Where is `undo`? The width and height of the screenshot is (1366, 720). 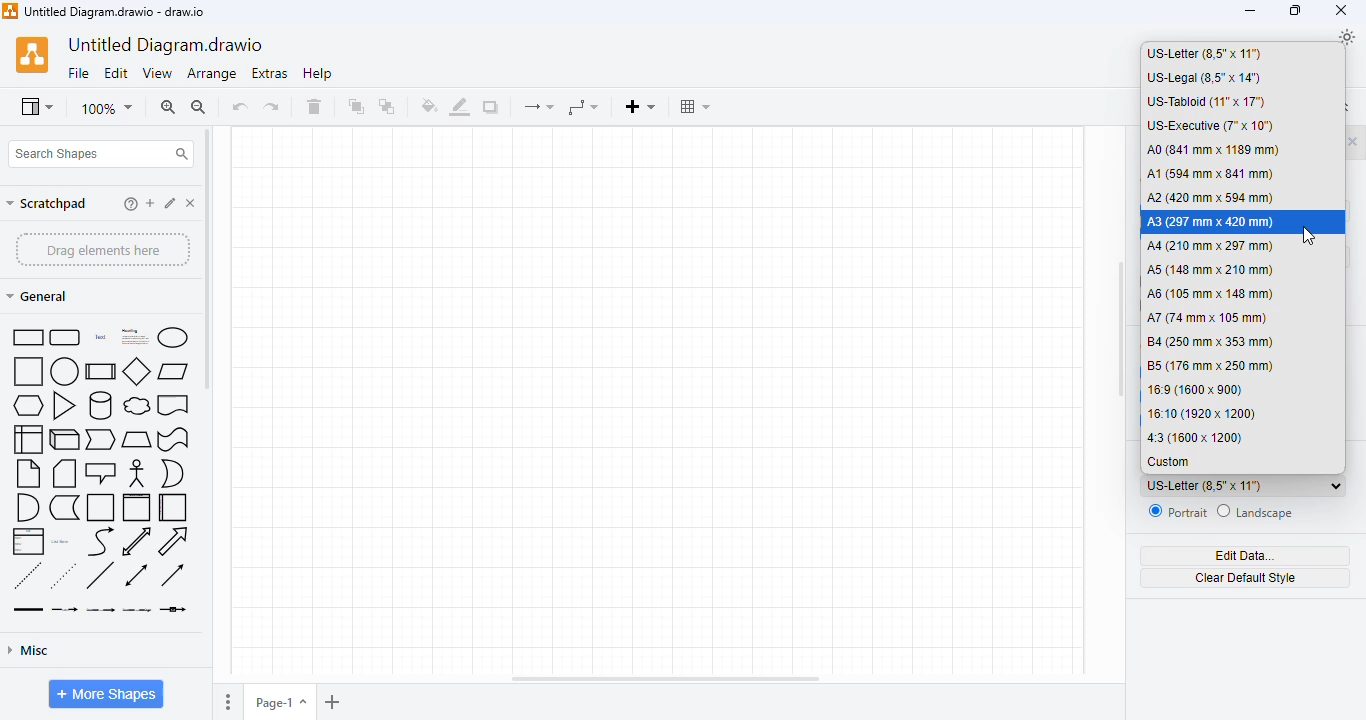
undo is located at coordinates (239, 106).